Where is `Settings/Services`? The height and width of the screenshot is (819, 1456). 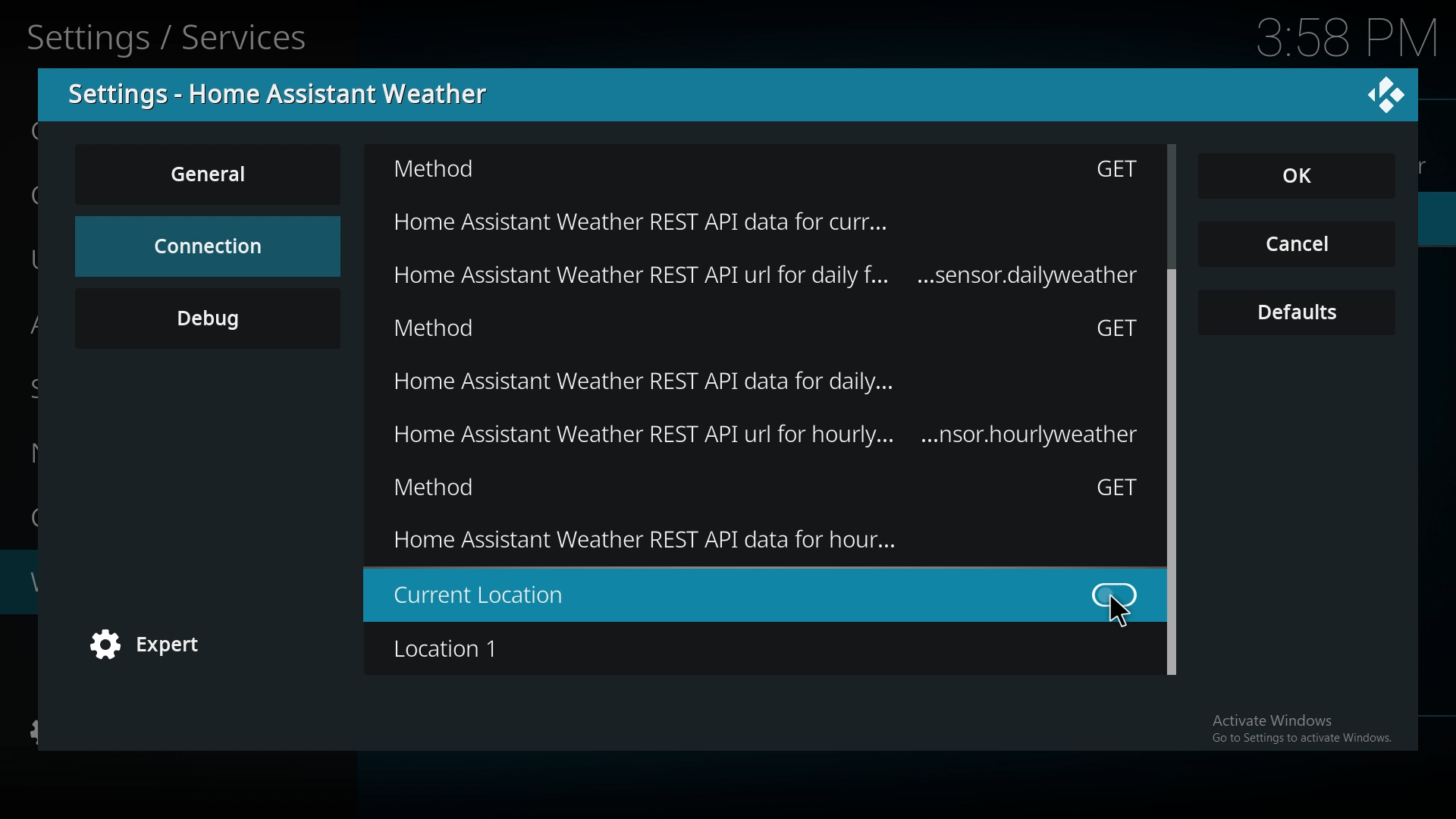 Settings/Services is located at coordinates (171, 35).